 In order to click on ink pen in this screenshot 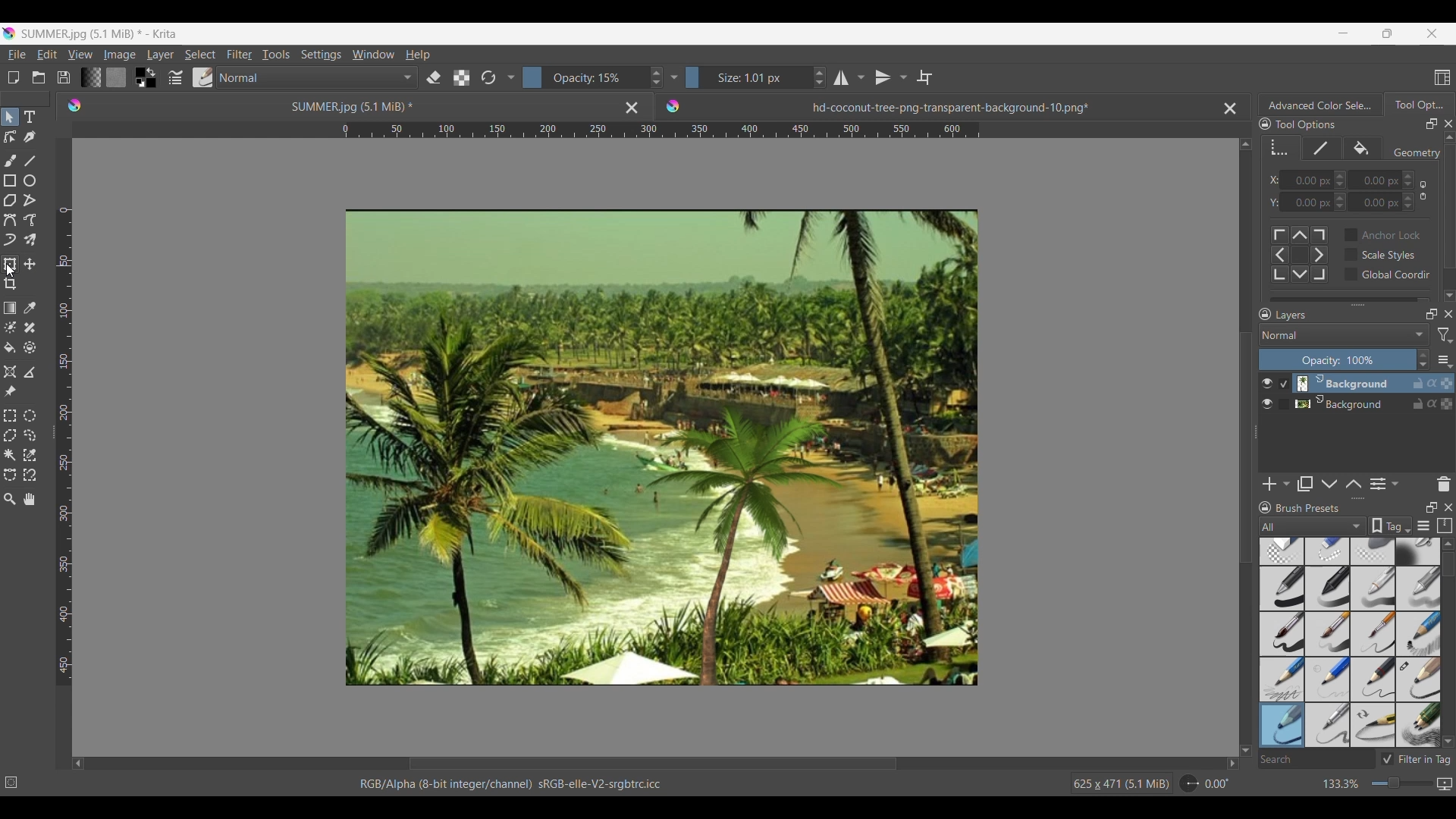, I will do `click(1419, 727)`.